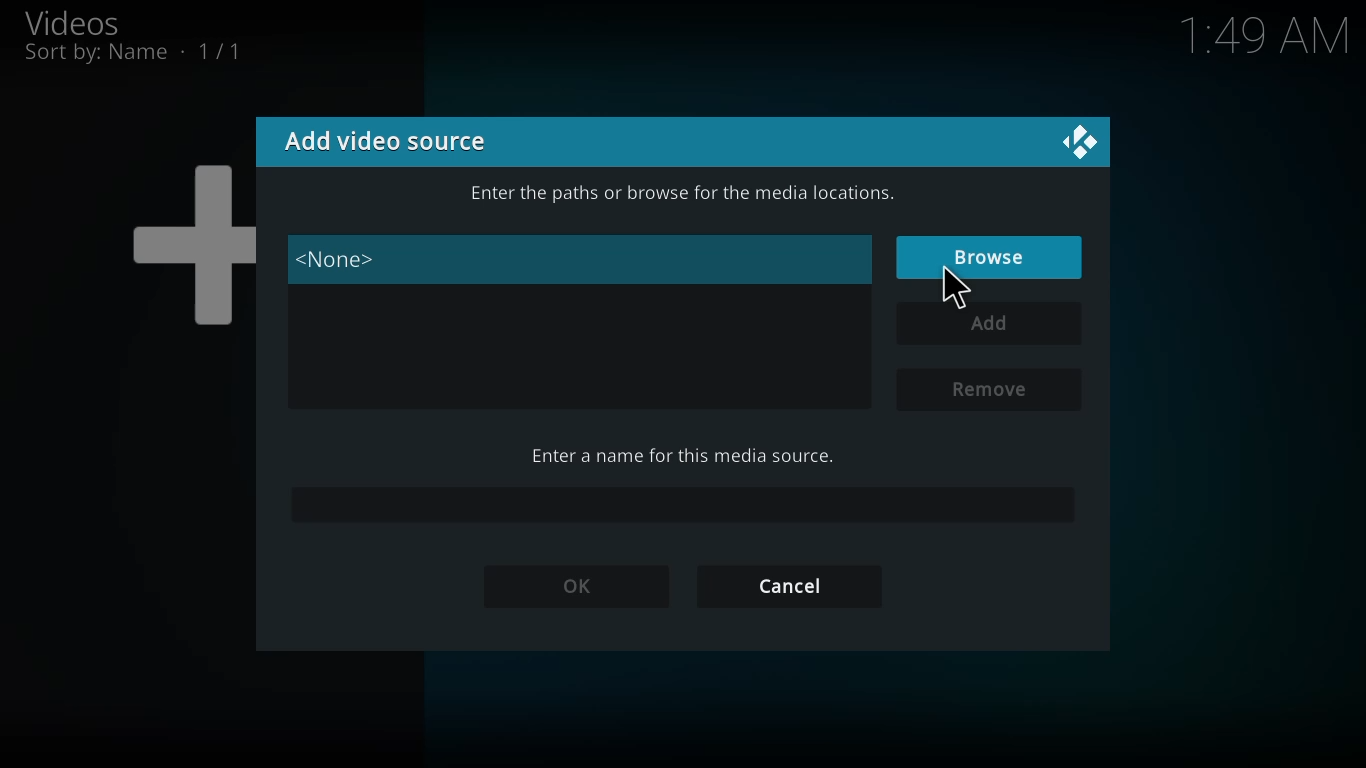 The width and height of the screenshot is (1366, 768). What do you see at coordinates (343, 260) in the screenshot?
I see `none` at bounding box center [343, 260].